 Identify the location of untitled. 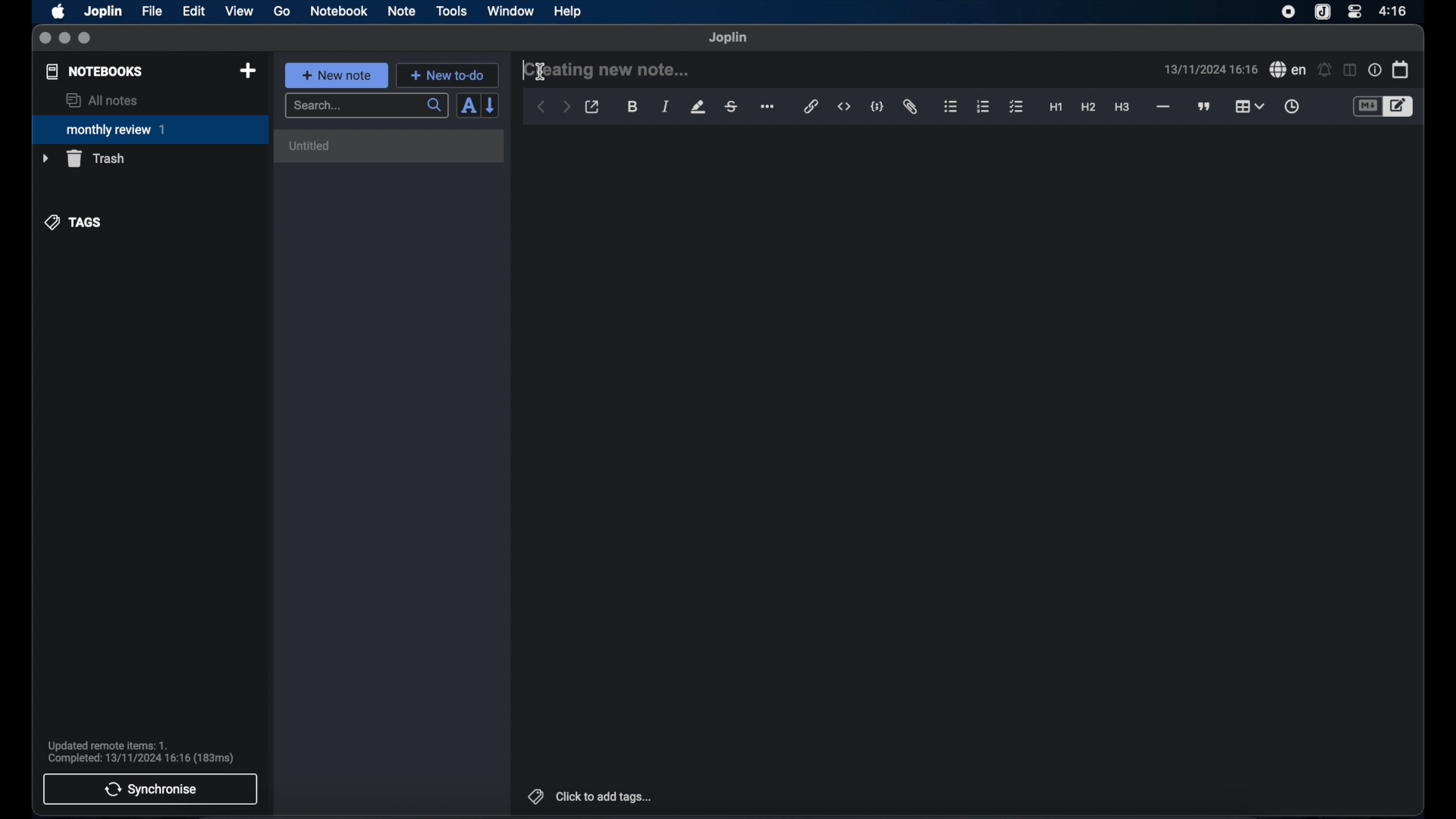
(312, 146).